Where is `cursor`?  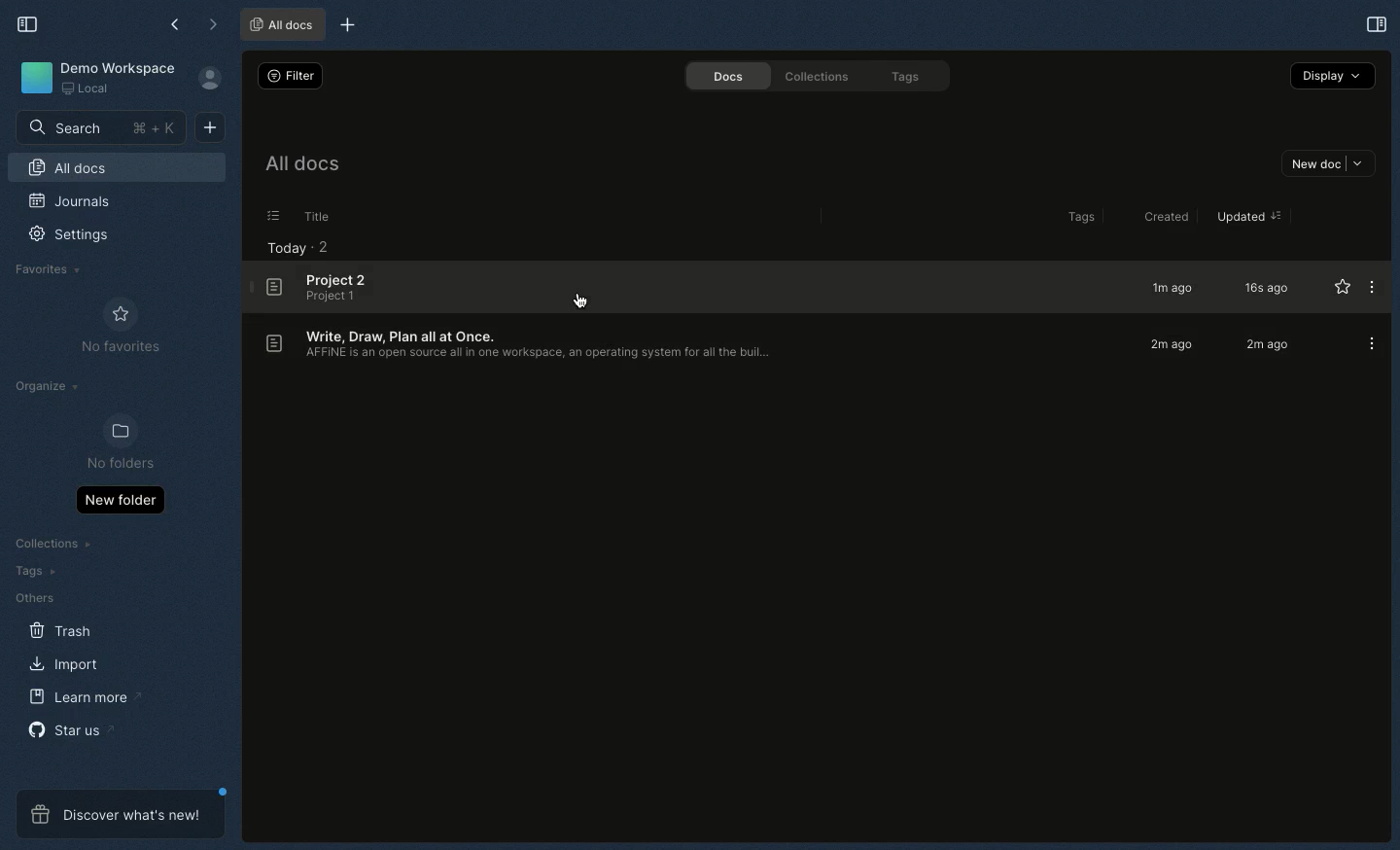 cursor is located at coordinates (585, 304).